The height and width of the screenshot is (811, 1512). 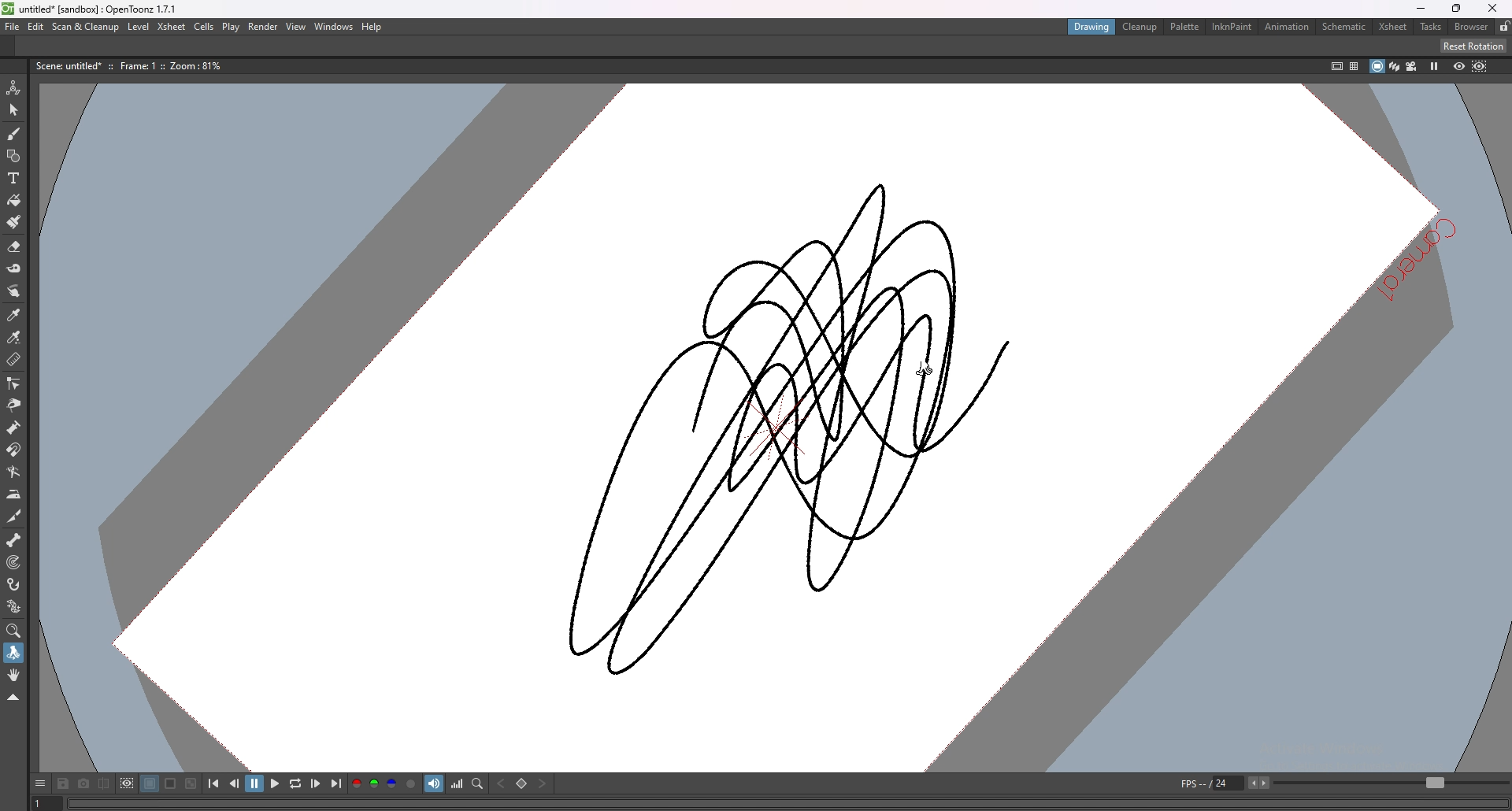 What do you see at coordinates (128, 783) in the screenshot?
I see `define sub camera` at bounding box center [128, 783].